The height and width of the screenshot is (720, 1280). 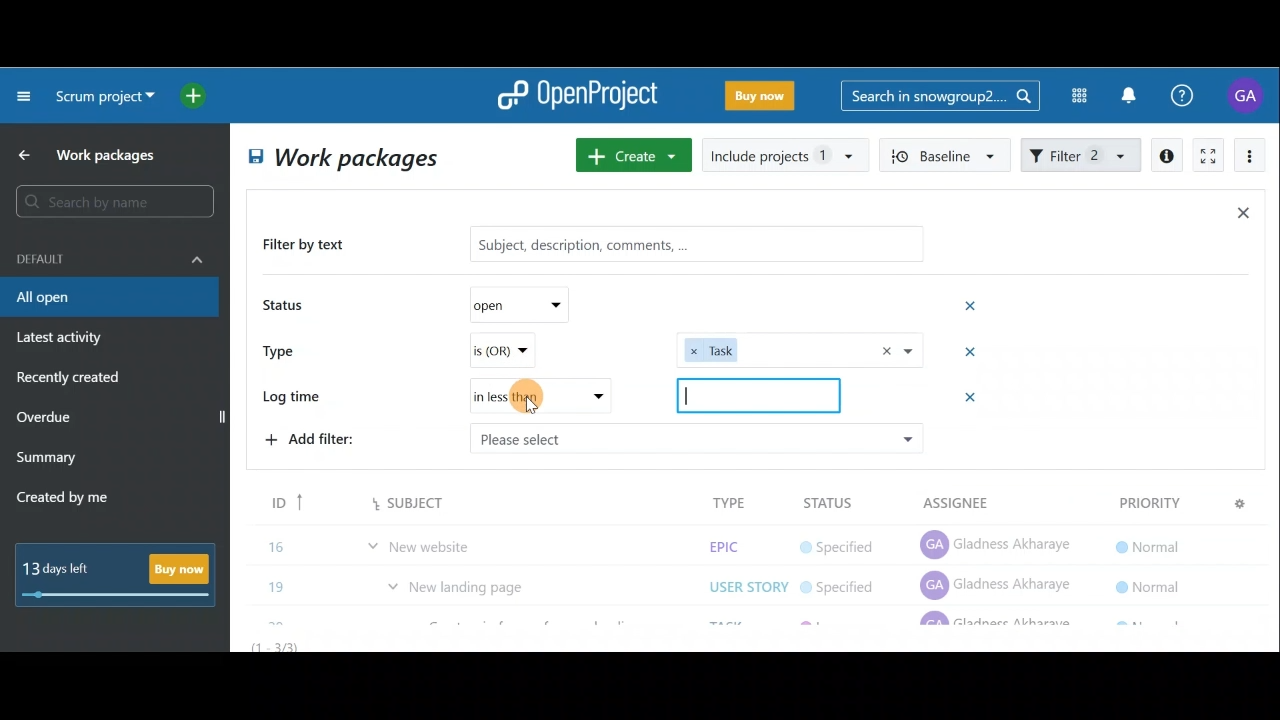 What do you see at coordinates (695, 438) in the screenshot?
I see `` at bounding box center [695, 438].